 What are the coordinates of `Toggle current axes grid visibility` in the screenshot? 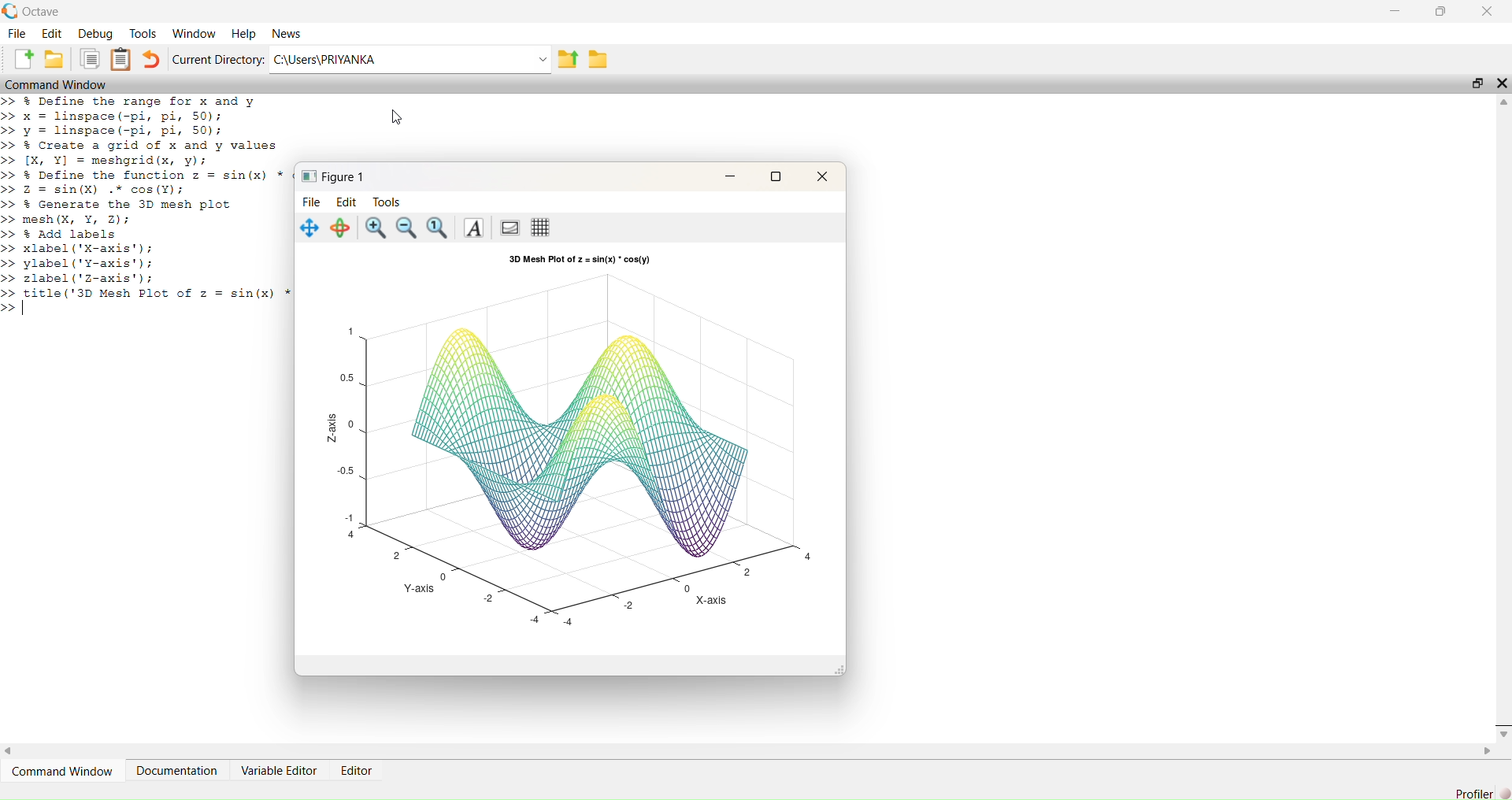 It's located at (544, 227).